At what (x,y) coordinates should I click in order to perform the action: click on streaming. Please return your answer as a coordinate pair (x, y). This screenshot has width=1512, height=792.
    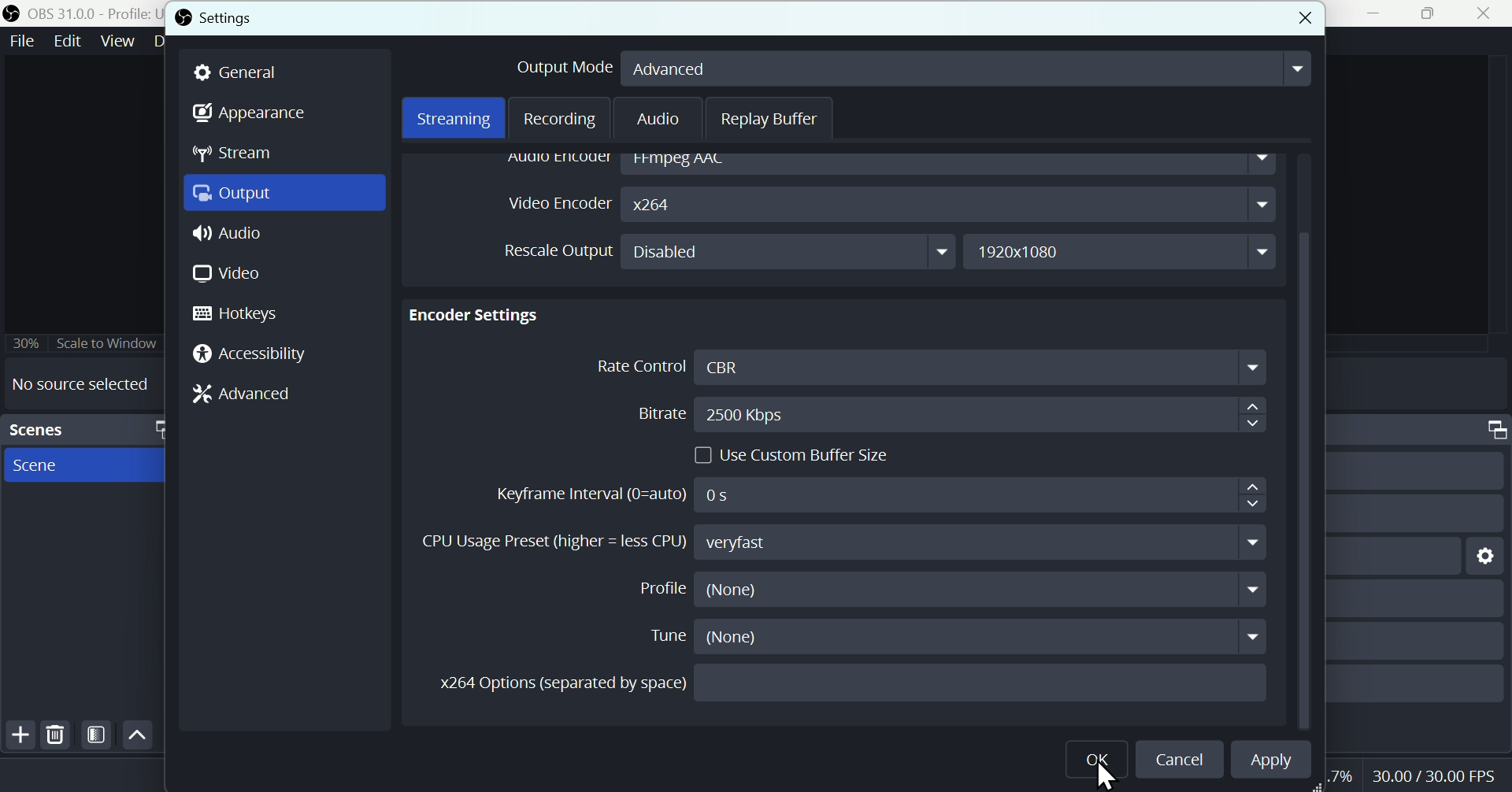
    Looking at the image, I should click on (454, 119).